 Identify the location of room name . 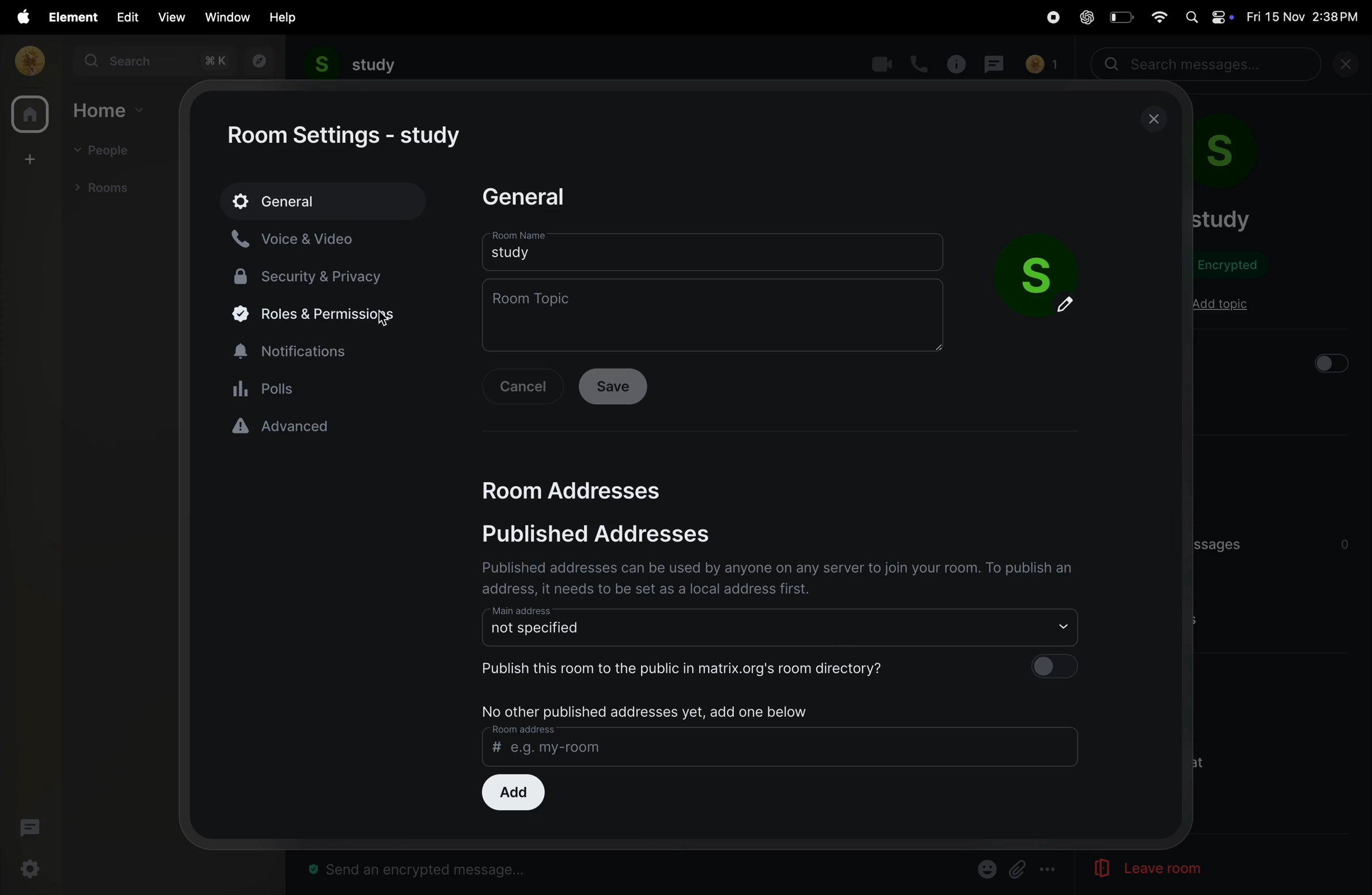
(1222, 219).